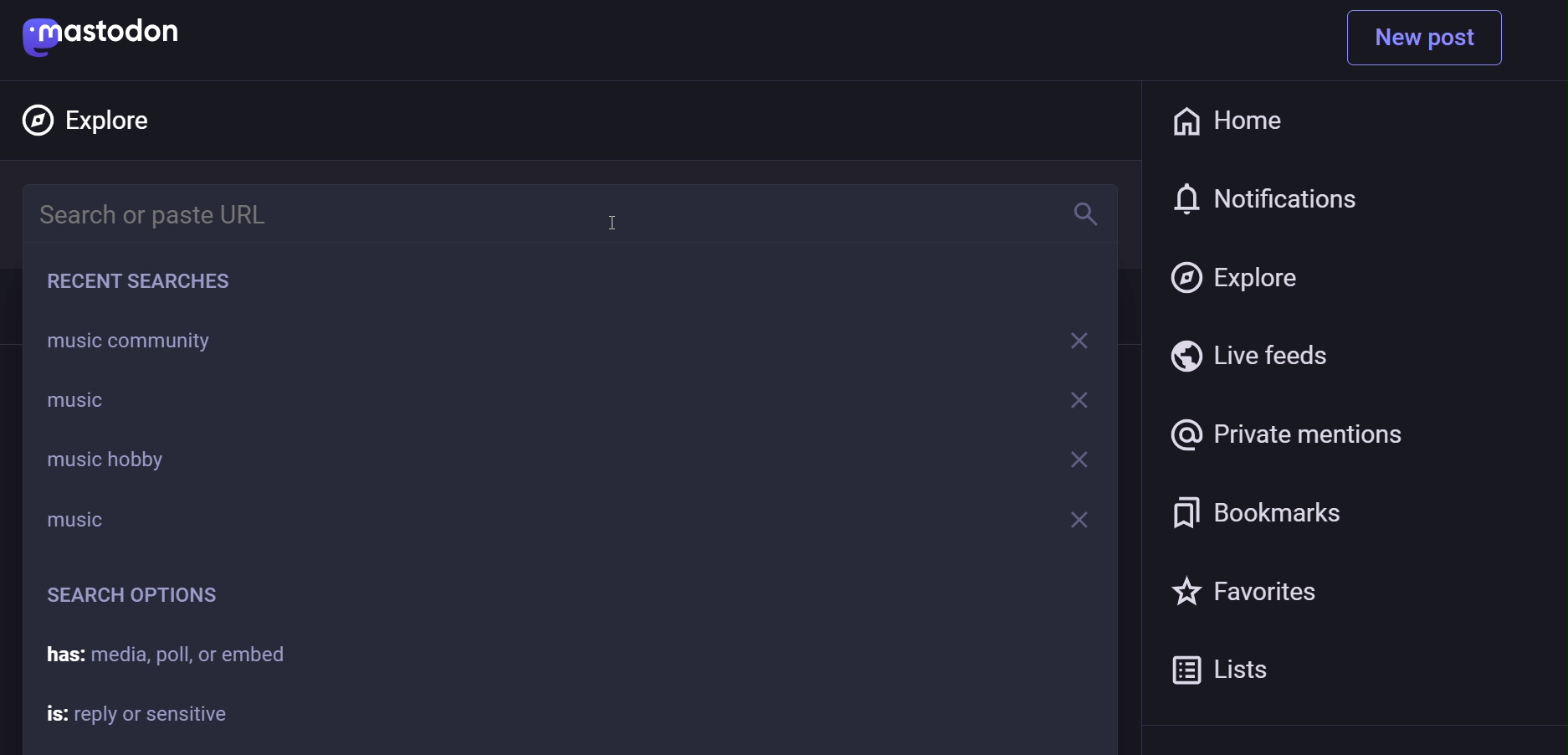  Describe the element at coordinates (1077, 438) in the screenshot. I see `remove option` at that location.